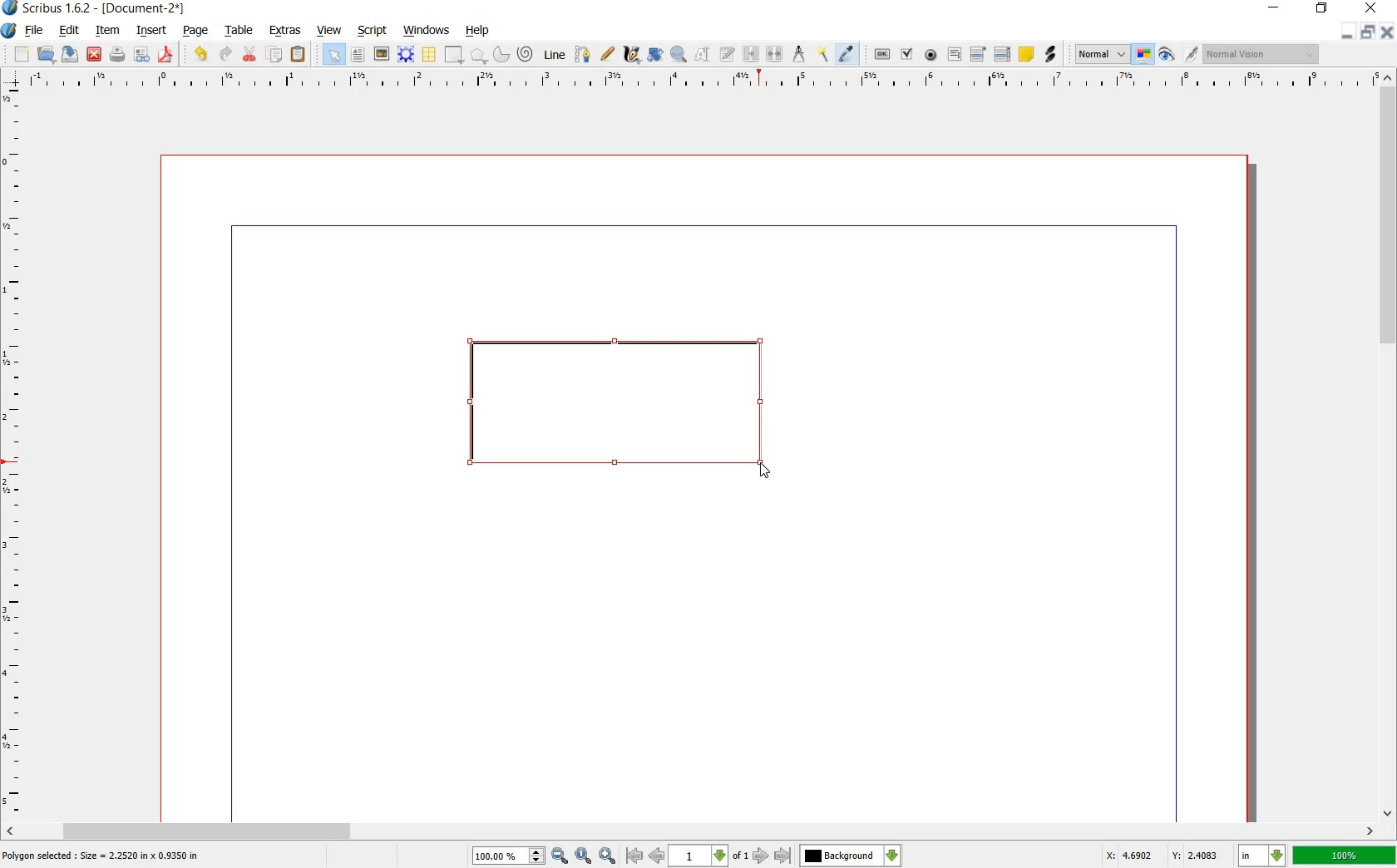 The image size is (1397, 868). Describe the element at coordinates (1163, 856) in the screenshot. I see `X: 4.6902 Y: 2.4083` at that location.